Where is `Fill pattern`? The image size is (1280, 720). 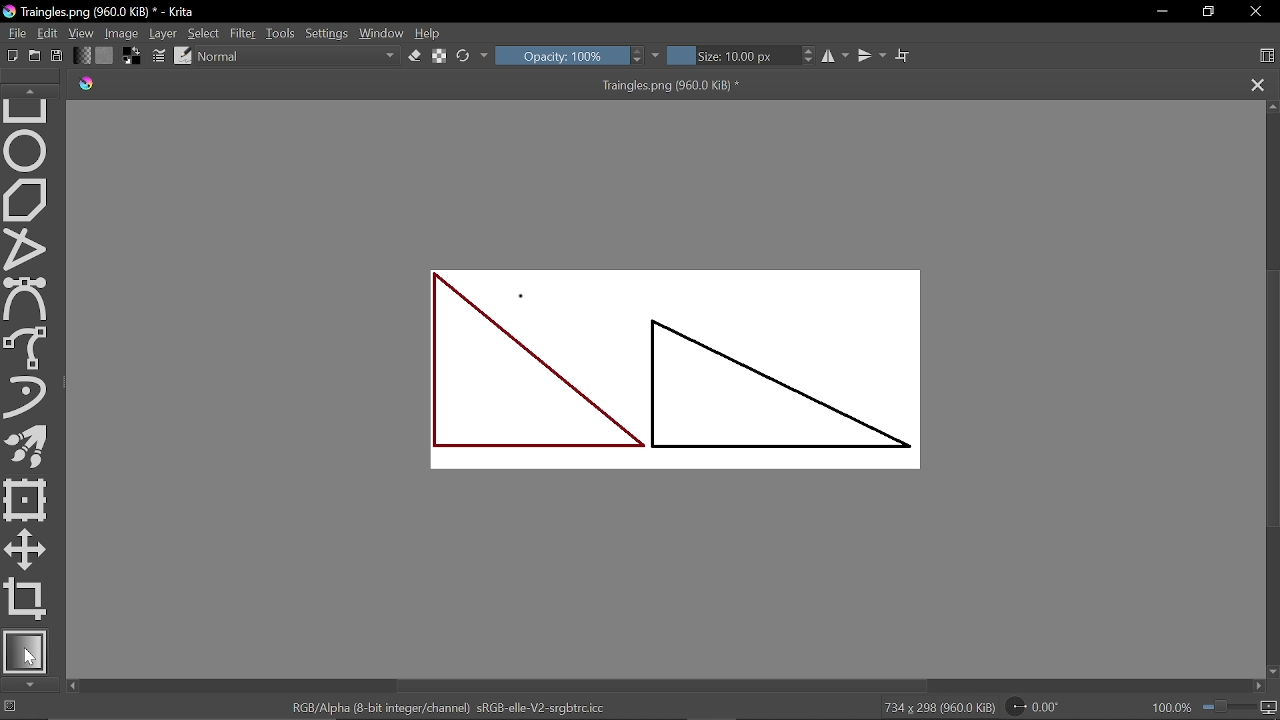 Fill pattern is located at coordinates (105, 54).